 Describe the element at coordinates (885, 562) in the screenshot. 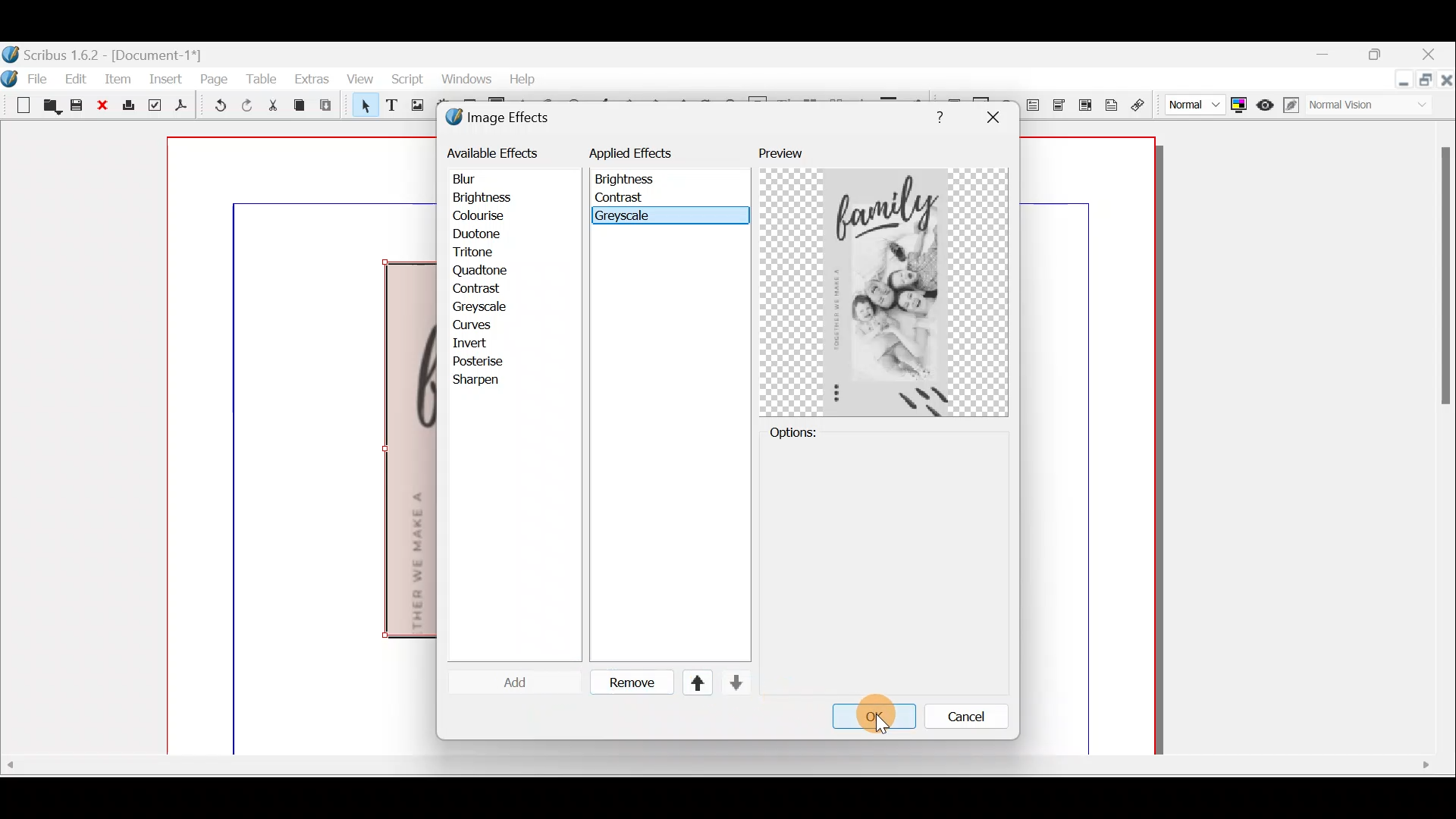

I see `Options` at that location.